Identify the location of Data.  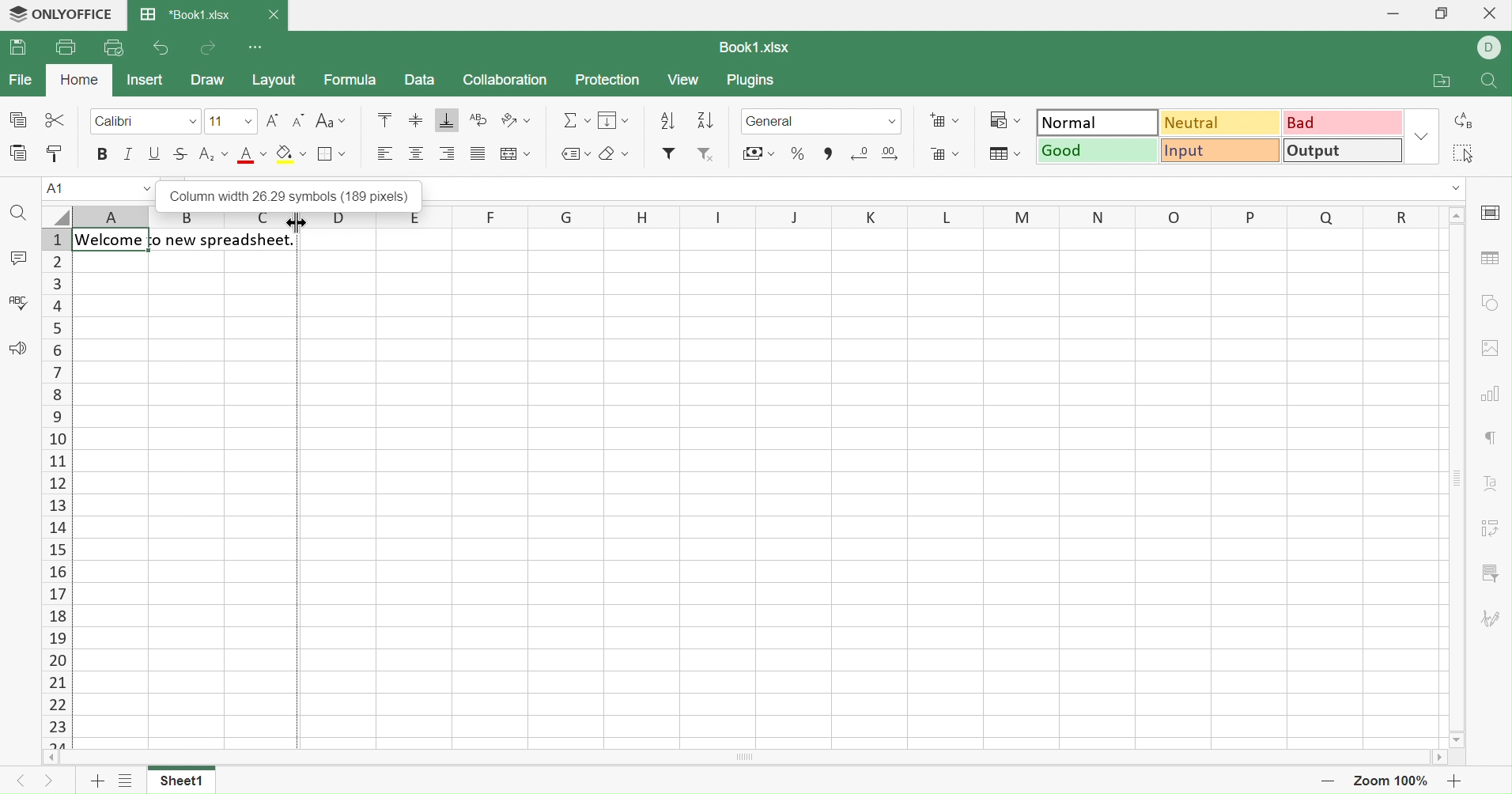
(419, 81).